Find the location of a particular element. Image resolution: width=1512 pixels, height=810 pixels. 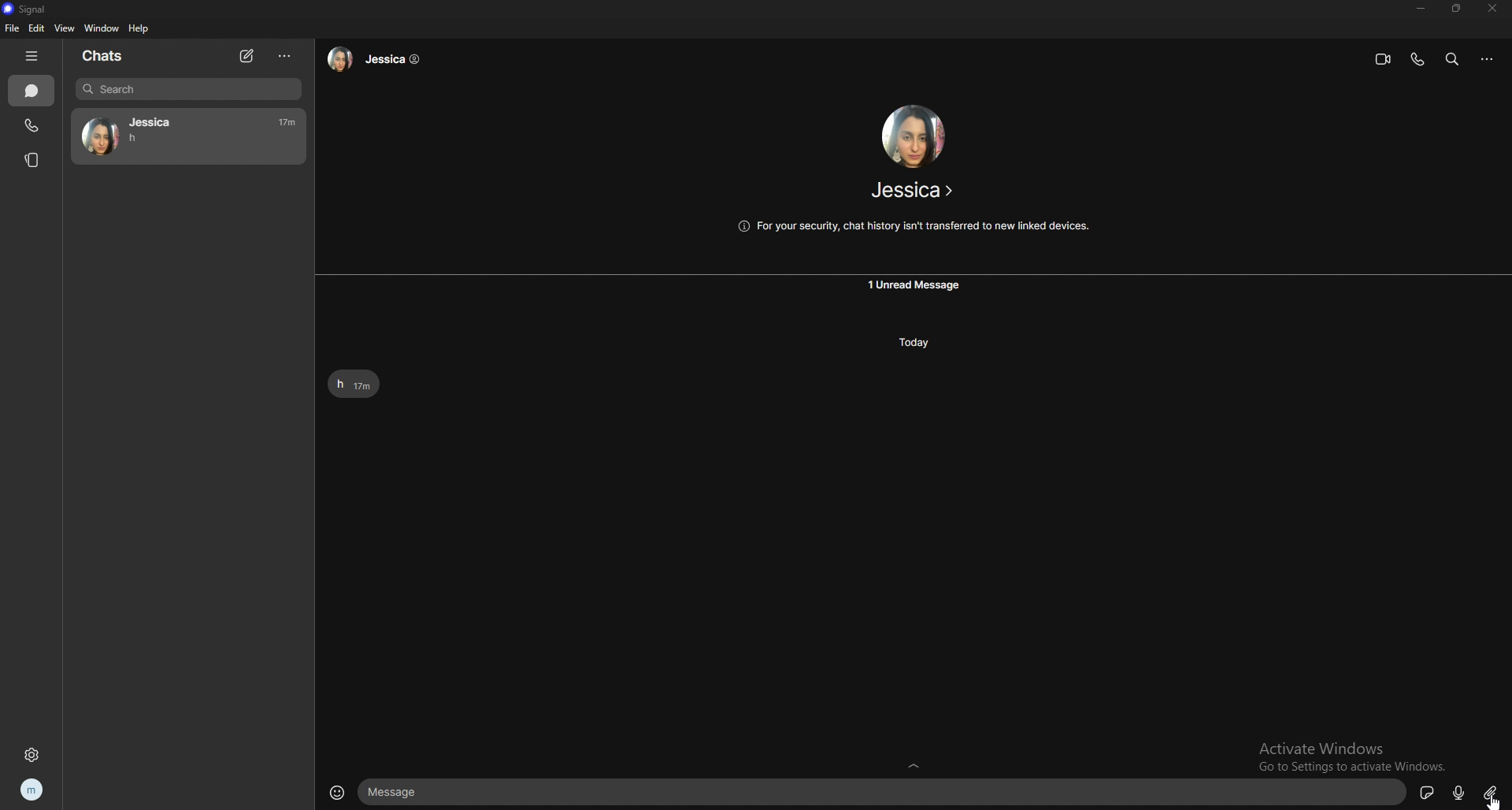

options is located at coordinates (284, 58).